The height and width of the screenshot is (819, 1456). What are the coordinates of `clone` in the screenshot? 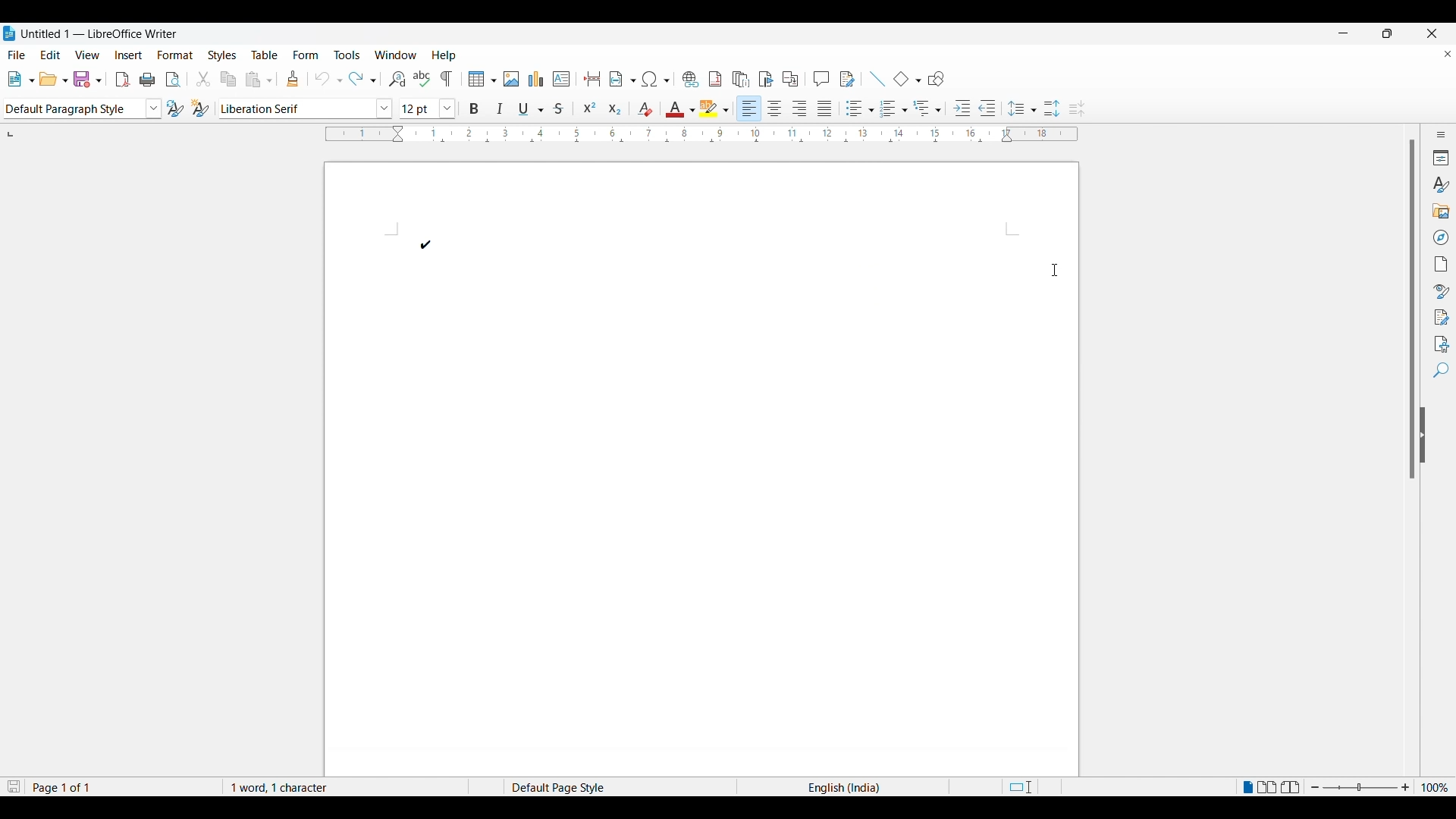 It's located at (294, 78).